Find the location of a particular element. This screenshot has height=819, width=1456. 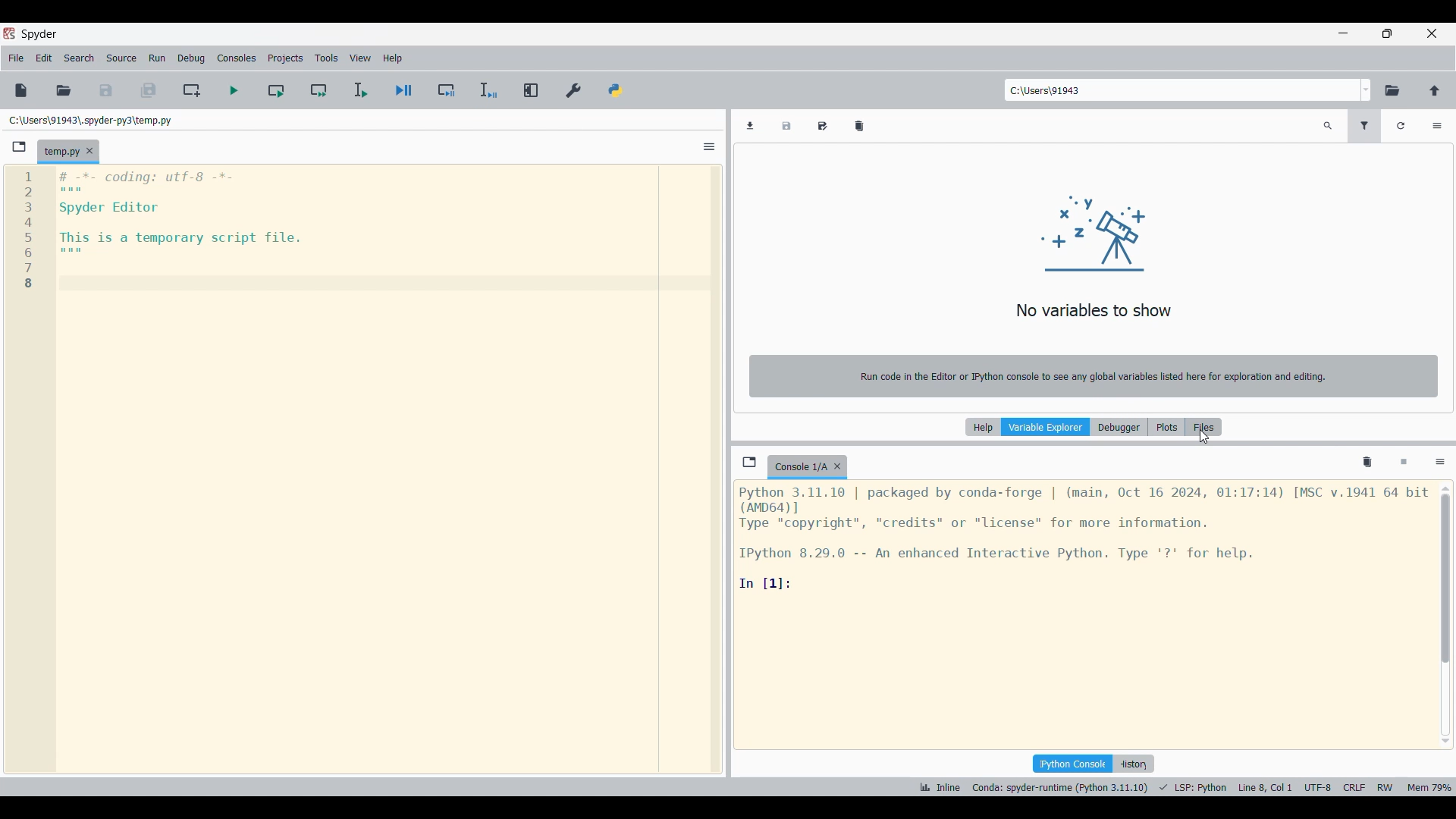

cursor is located at coordinates (1203, 439).